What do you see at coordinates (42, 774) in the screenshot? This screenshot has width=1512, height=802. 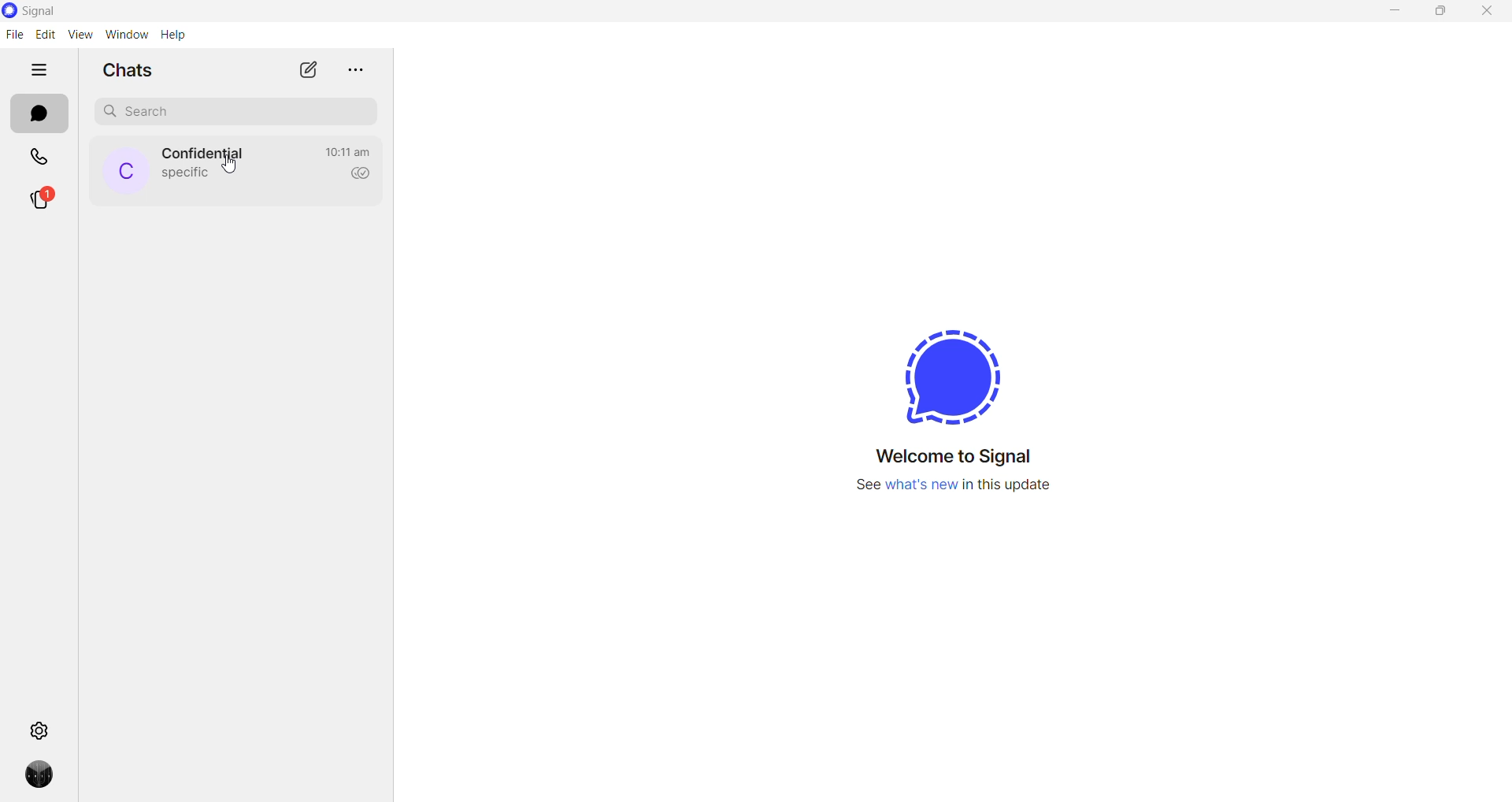 I see `profile` at bounding box center [42, 774].